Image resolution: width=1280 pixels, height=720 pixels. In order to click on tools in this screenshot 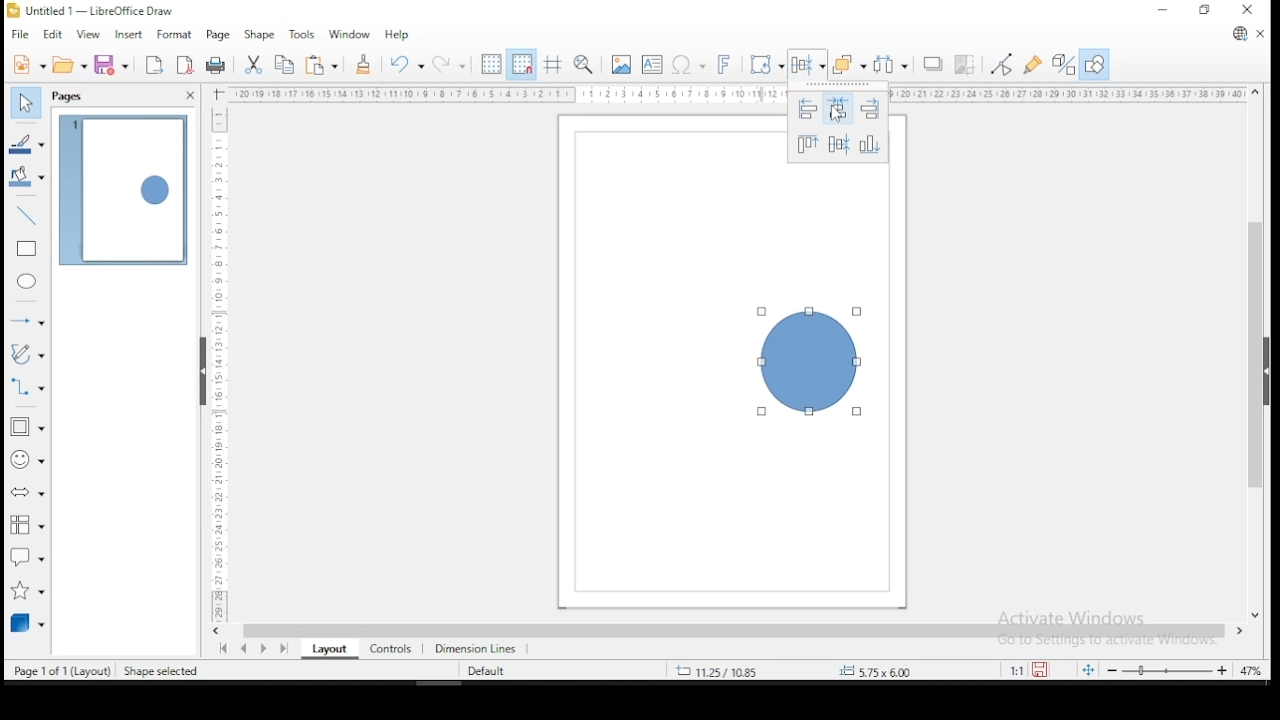, I will do `click(302, 33)`.